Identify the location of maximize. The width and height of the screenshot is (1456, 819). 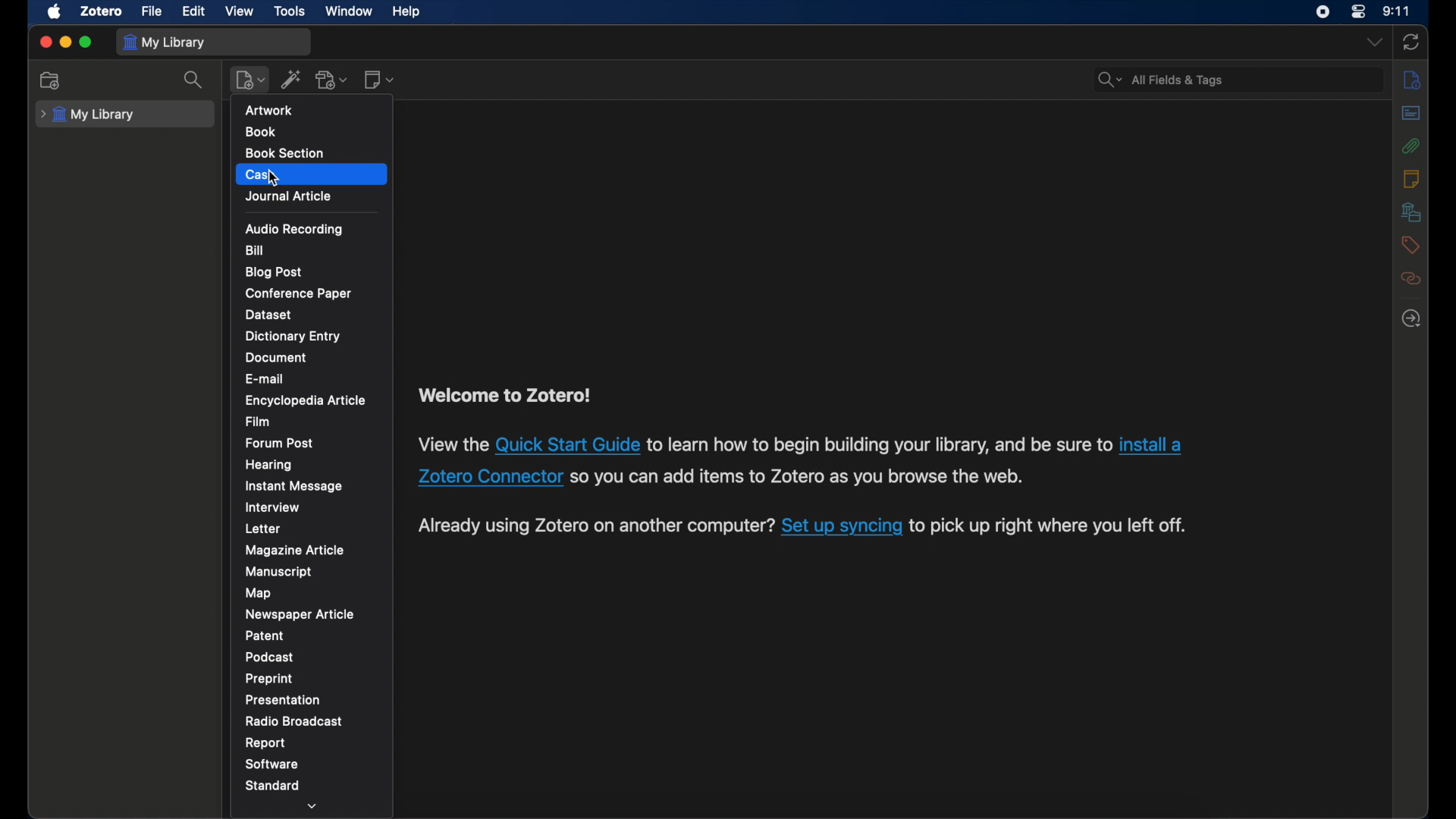
(86, 42).